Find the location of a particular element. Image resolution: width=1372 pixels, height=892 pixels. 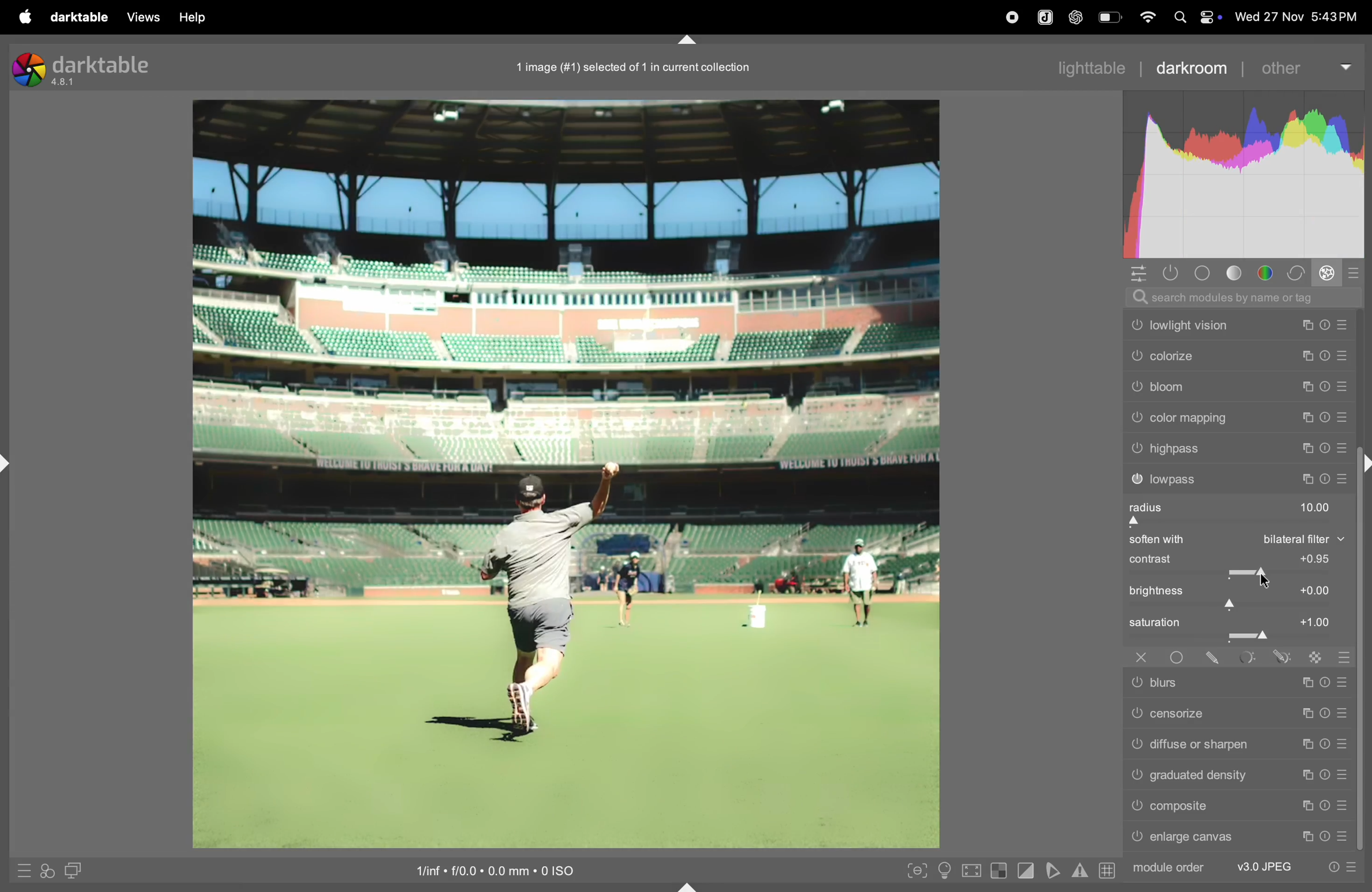

toggle high quality processing is located at coordinates (974, 870).